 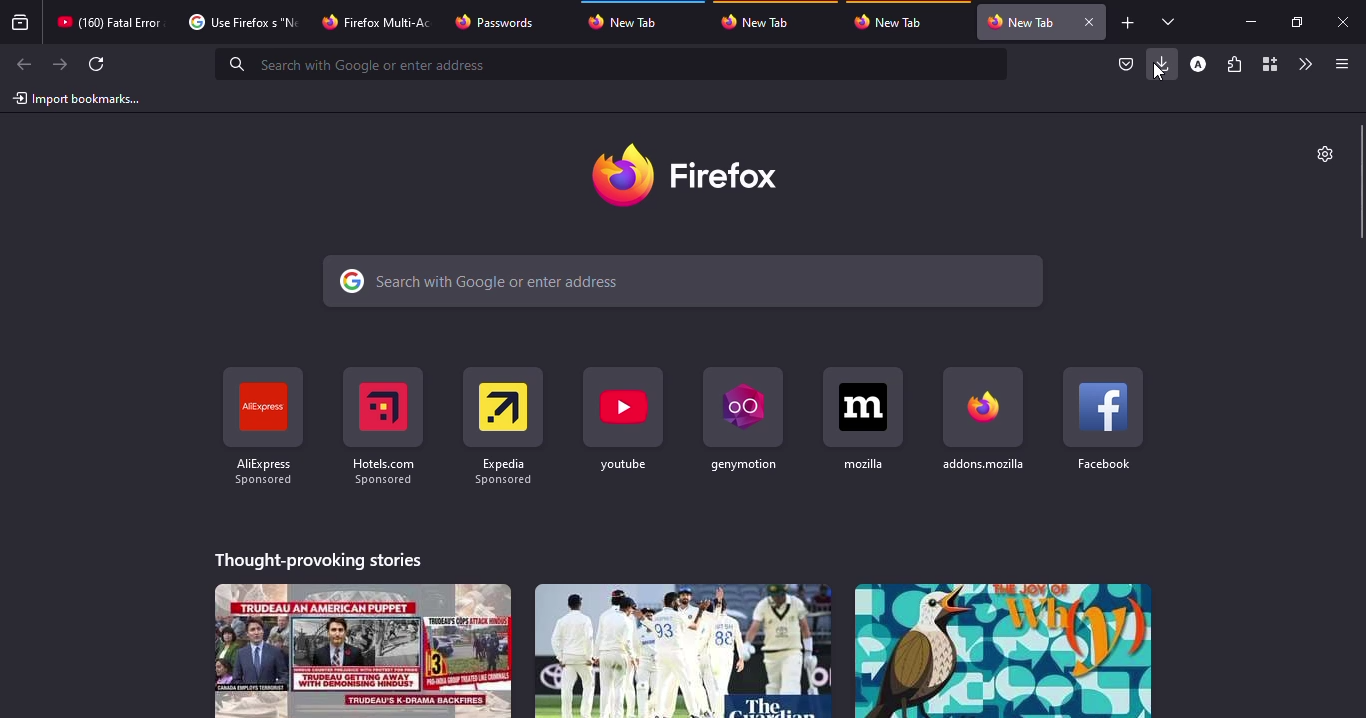 I want to click on search, so click(x=614, y=64).